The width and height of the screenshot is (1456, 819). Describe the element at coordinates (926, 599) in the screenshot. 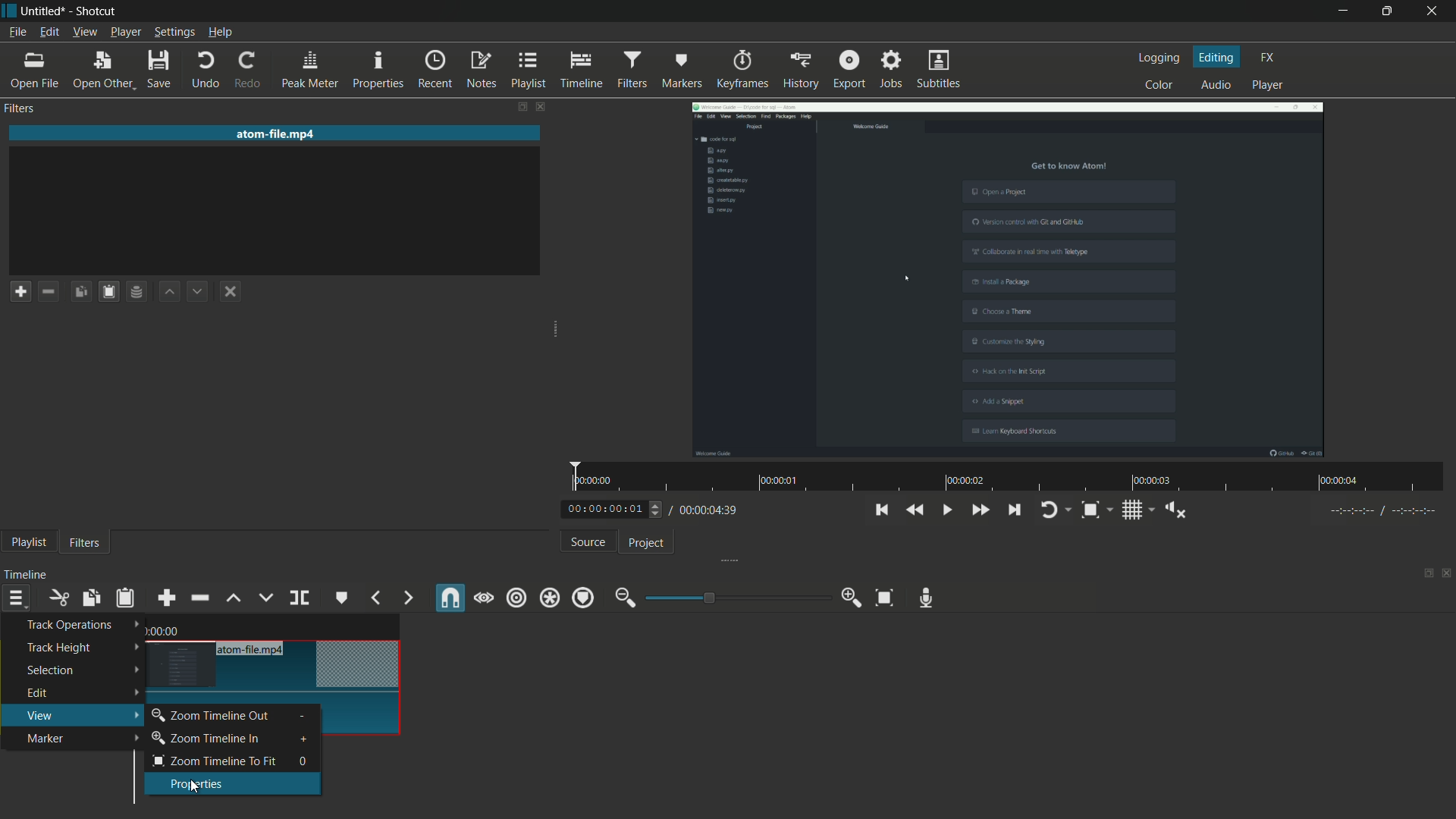

I see `record audio` at that location.